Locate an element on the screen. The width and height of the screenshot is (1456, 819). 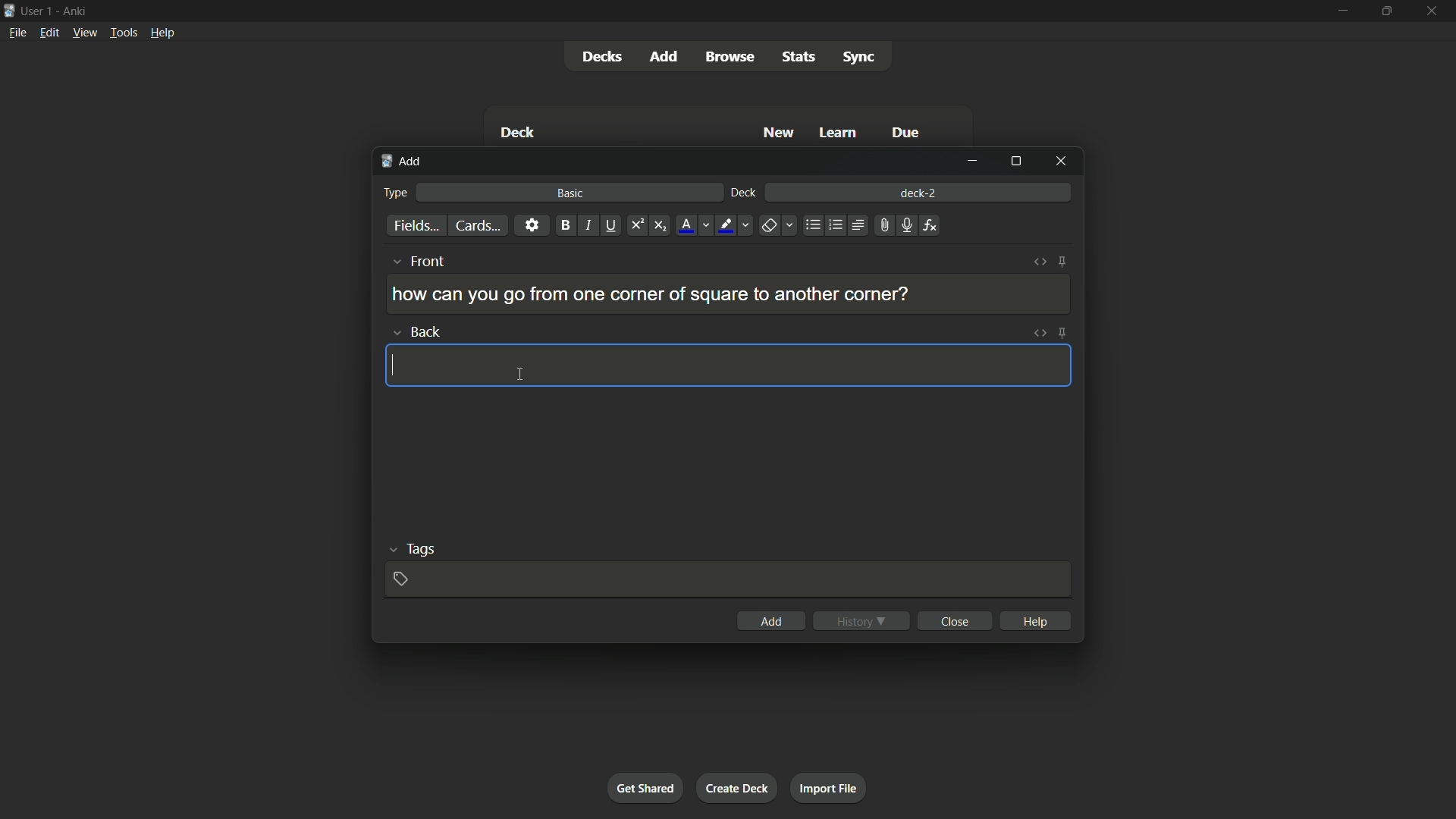
add is located at coordinates (775, 621).